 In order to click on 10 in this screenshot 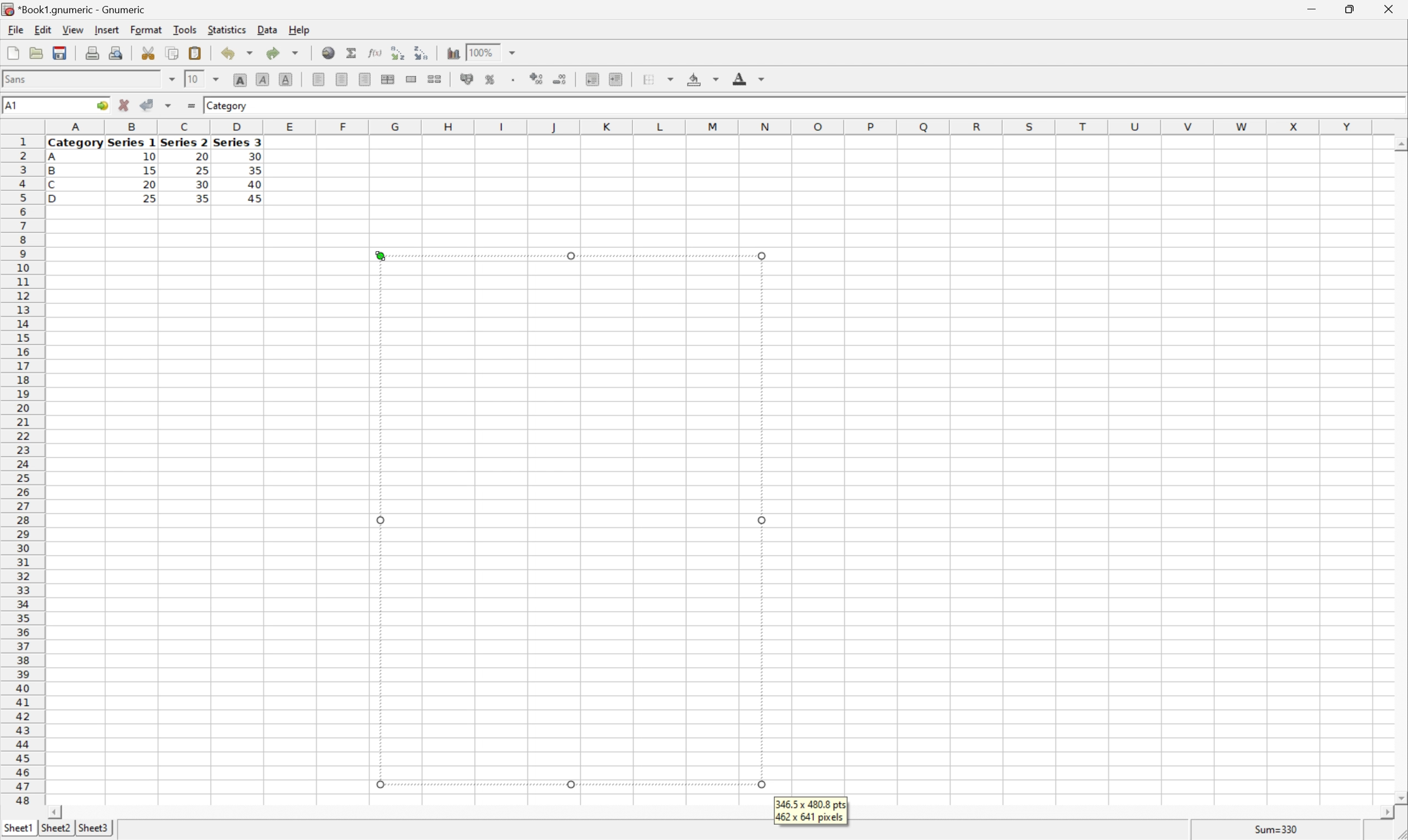, I will do `click(149, 157)`.